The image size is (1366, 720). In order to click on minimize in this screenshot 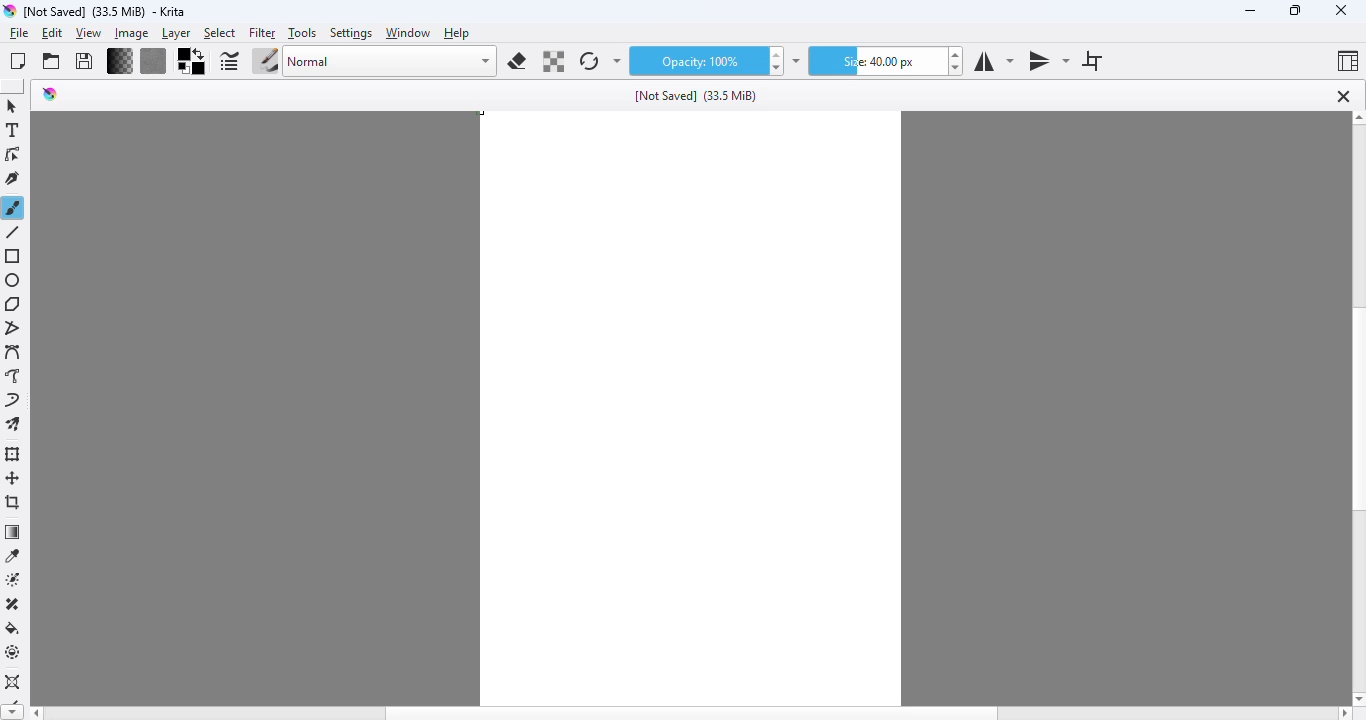, I will do `click(1250, 12)`.